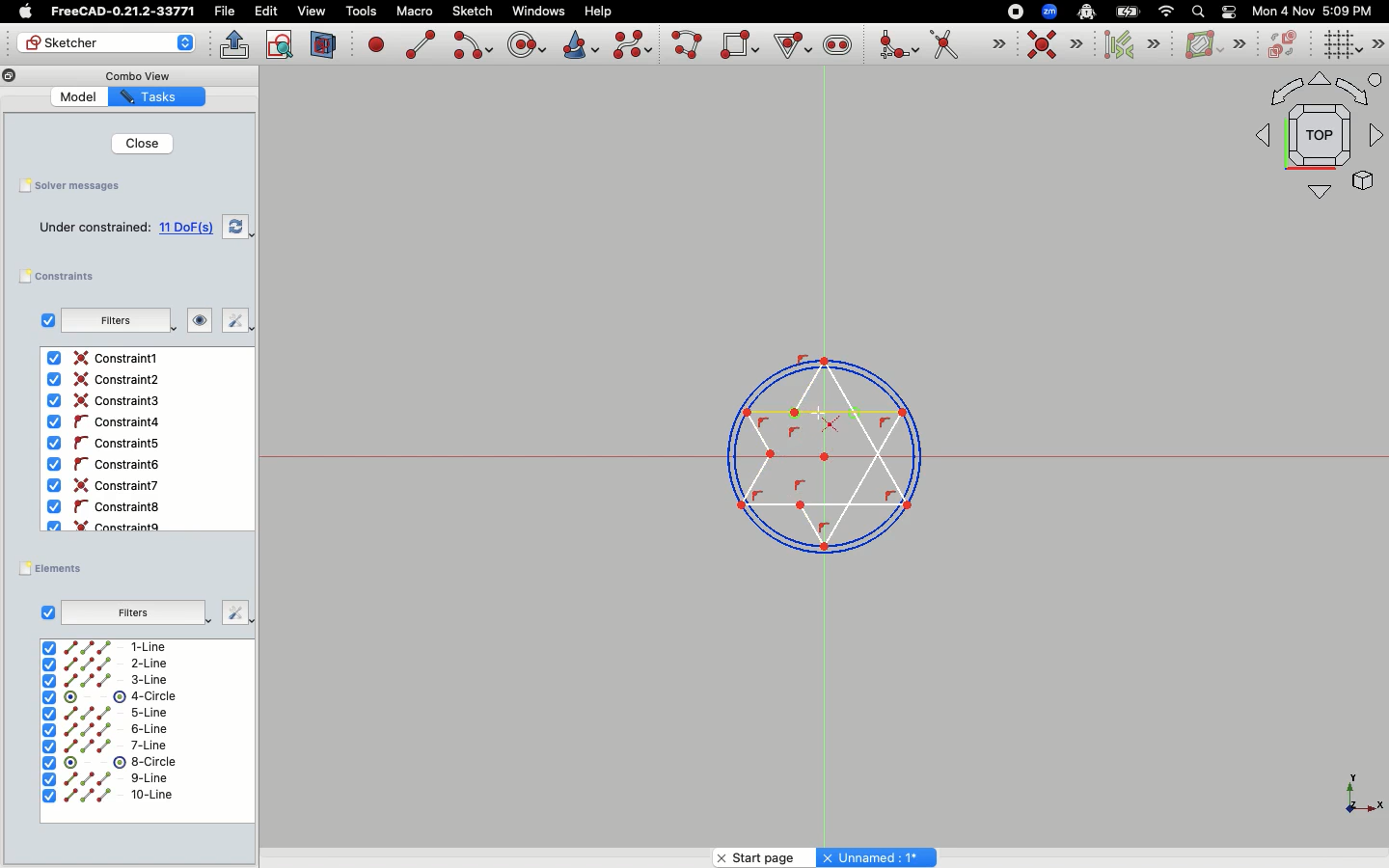 The image size is (1389, 868). I want to click on Constraint coincident, so click(1055, 45).